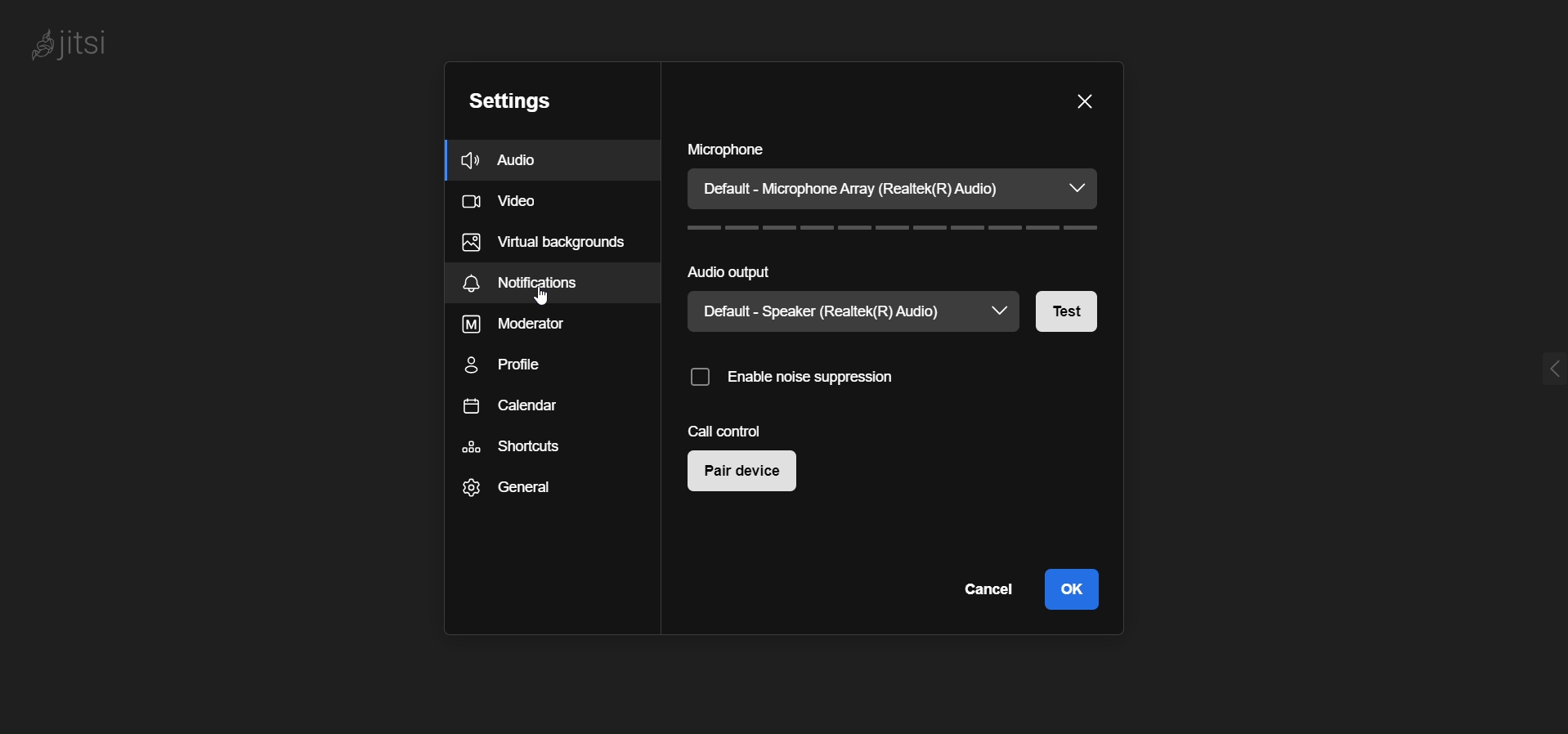  What do you see at coordinates (513, 366) in the screenshot?
I see `profile` at bounding box center [513, 366].